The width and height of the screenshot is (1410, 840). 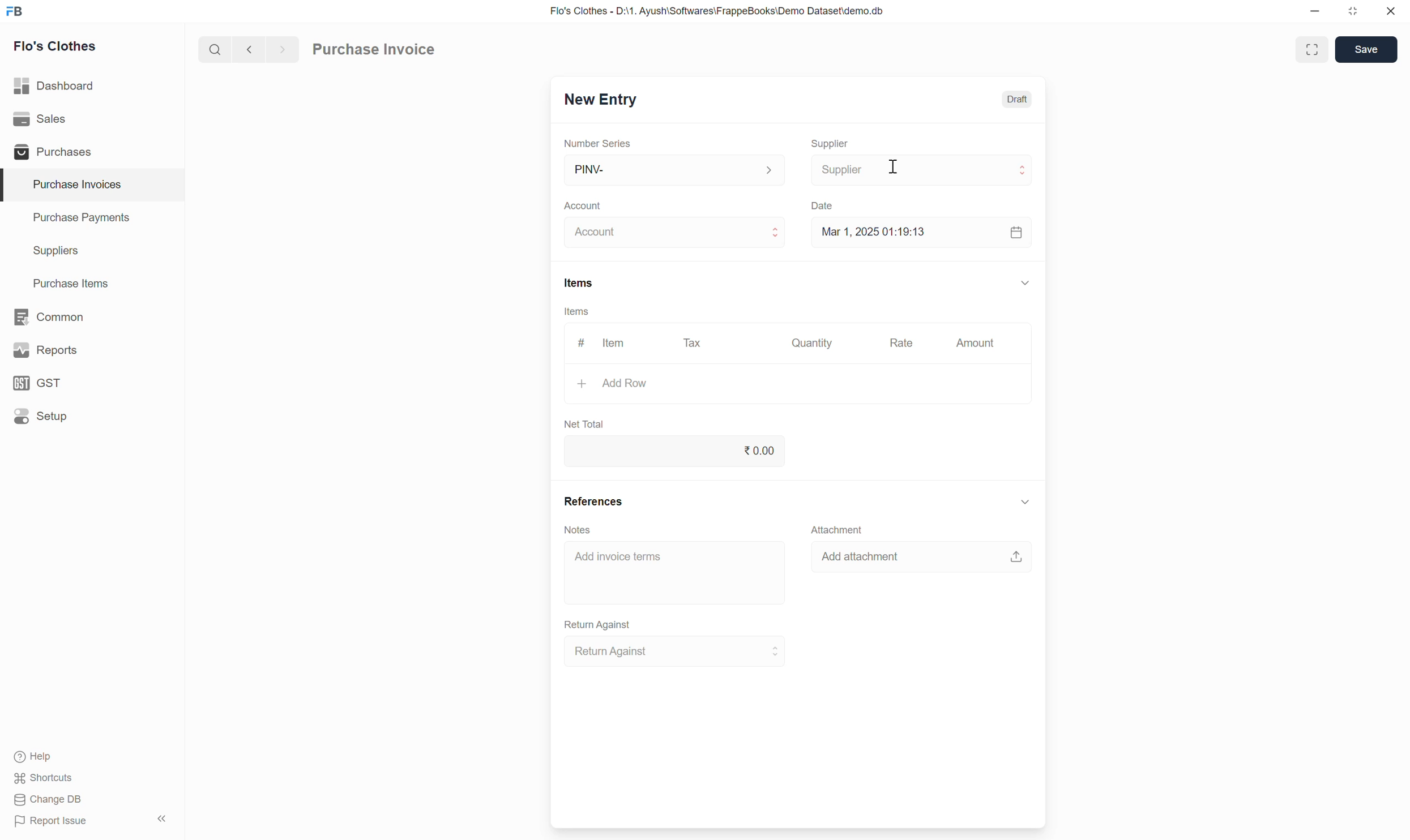 I want to click on Tax, so click(x=694, y=342).